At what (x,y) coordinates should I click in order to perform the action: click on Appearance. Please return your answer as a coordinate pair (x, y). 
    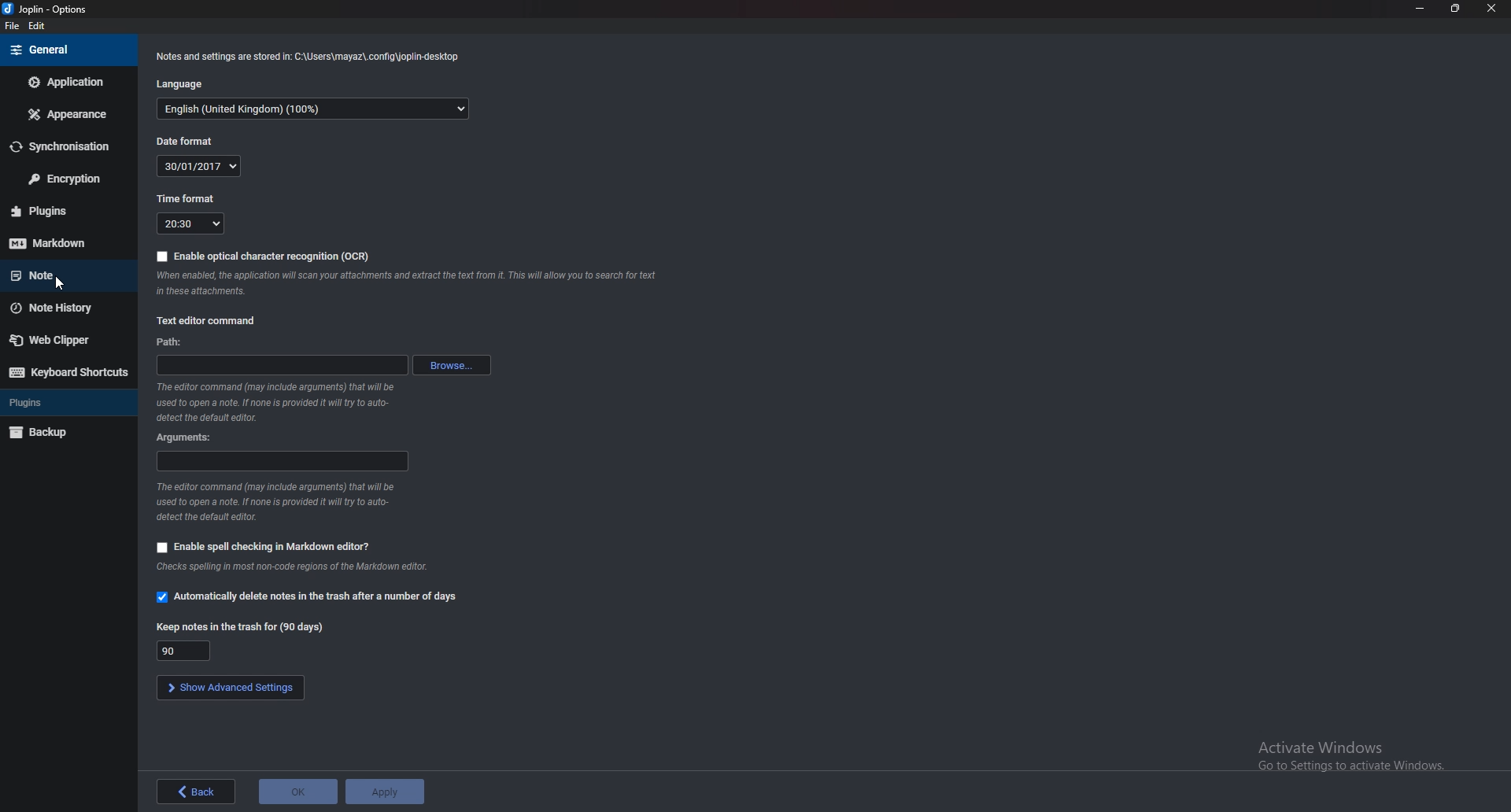
    Looking at the image, I should click on (65, 116).